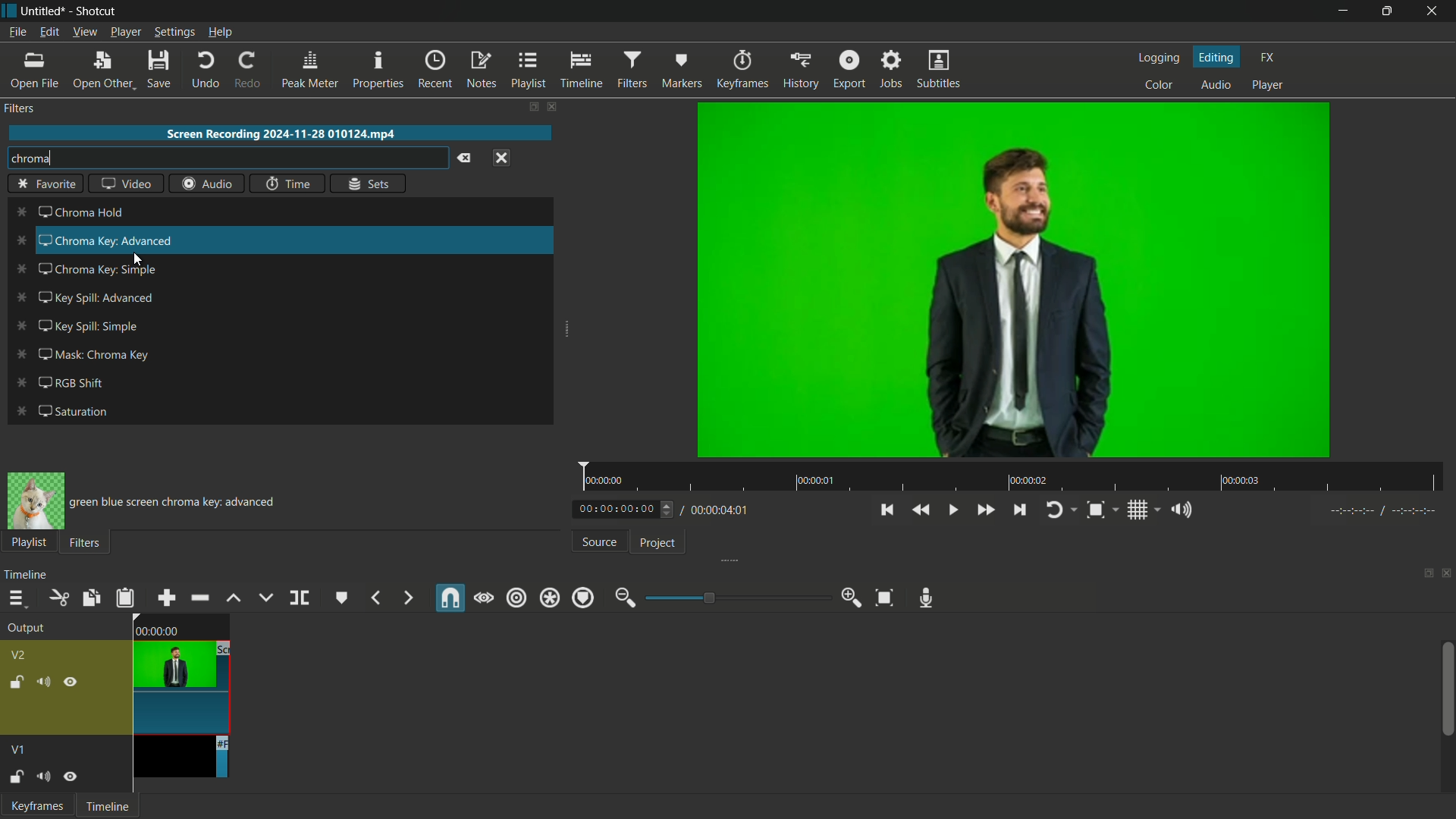 The height and width of the screenshot is (819, 1456). What do you see at coordinates (631, 71) in the screenshot?
I see `filters` at bounding box center [631, 71].